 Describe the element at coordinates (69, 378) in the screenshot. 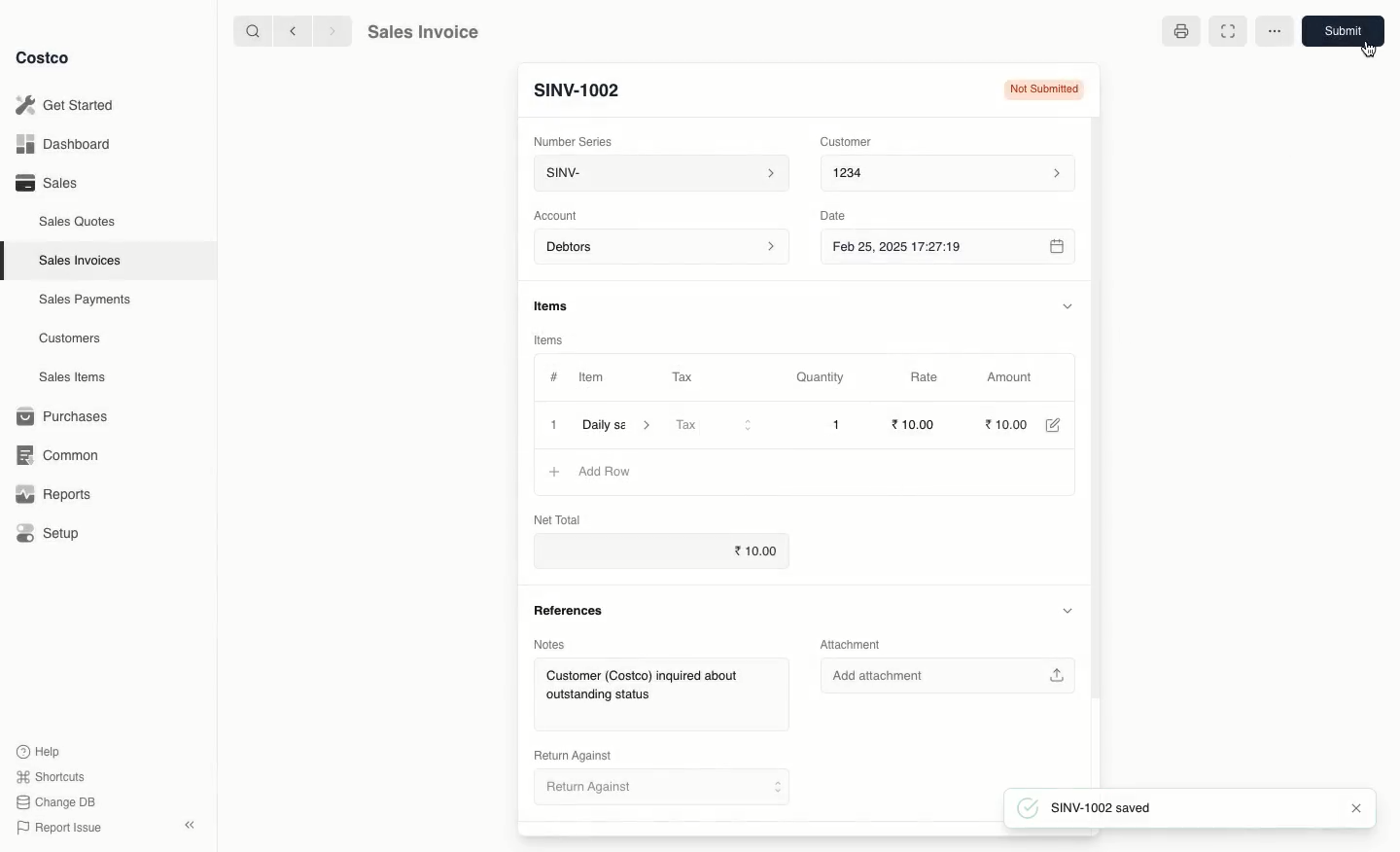

I see `Sales Items.` at that location.